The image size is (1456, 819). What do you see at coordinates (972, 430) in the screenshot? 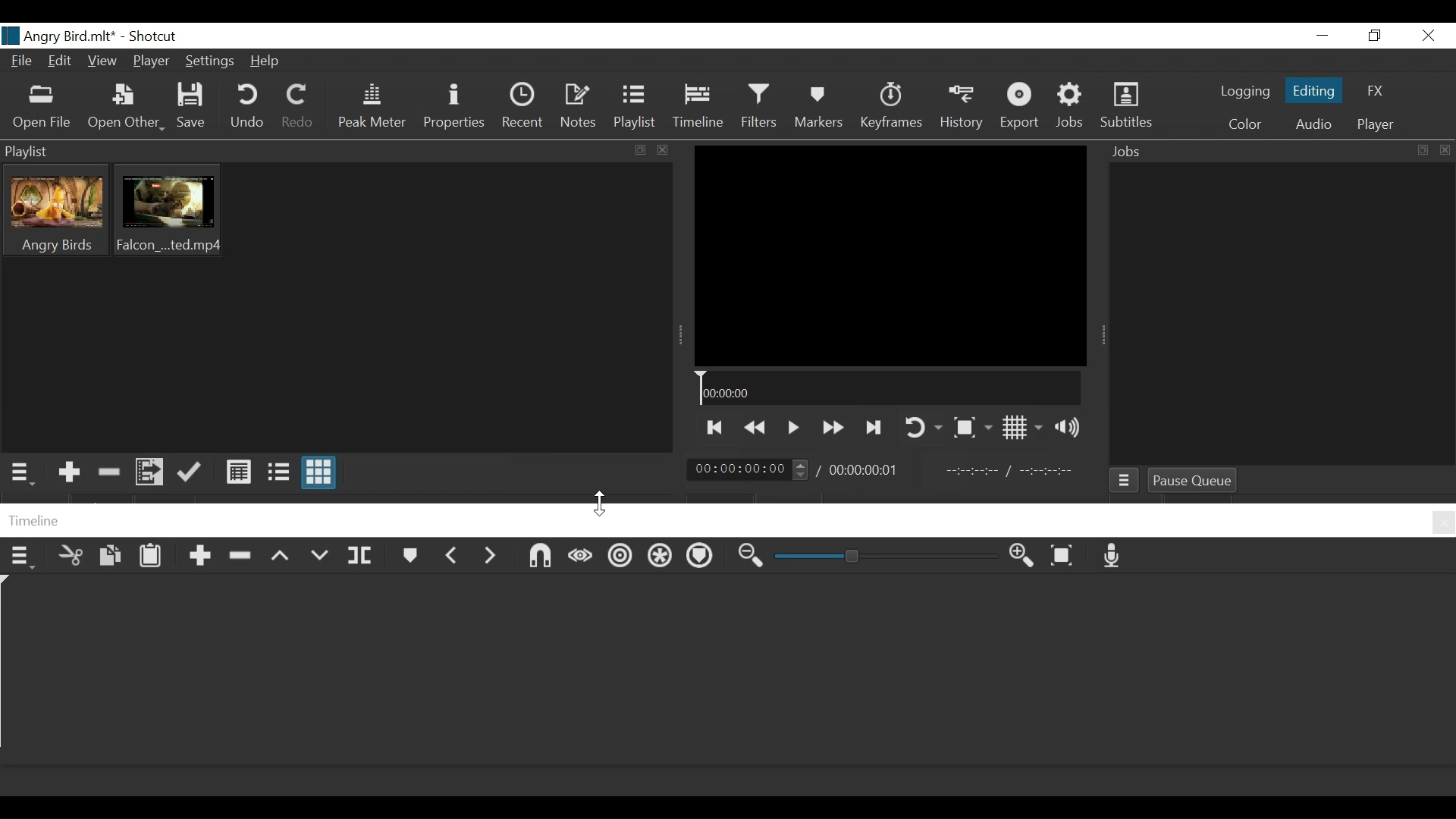
I see `Toggle Zoom` at bounding box center [972, 430].